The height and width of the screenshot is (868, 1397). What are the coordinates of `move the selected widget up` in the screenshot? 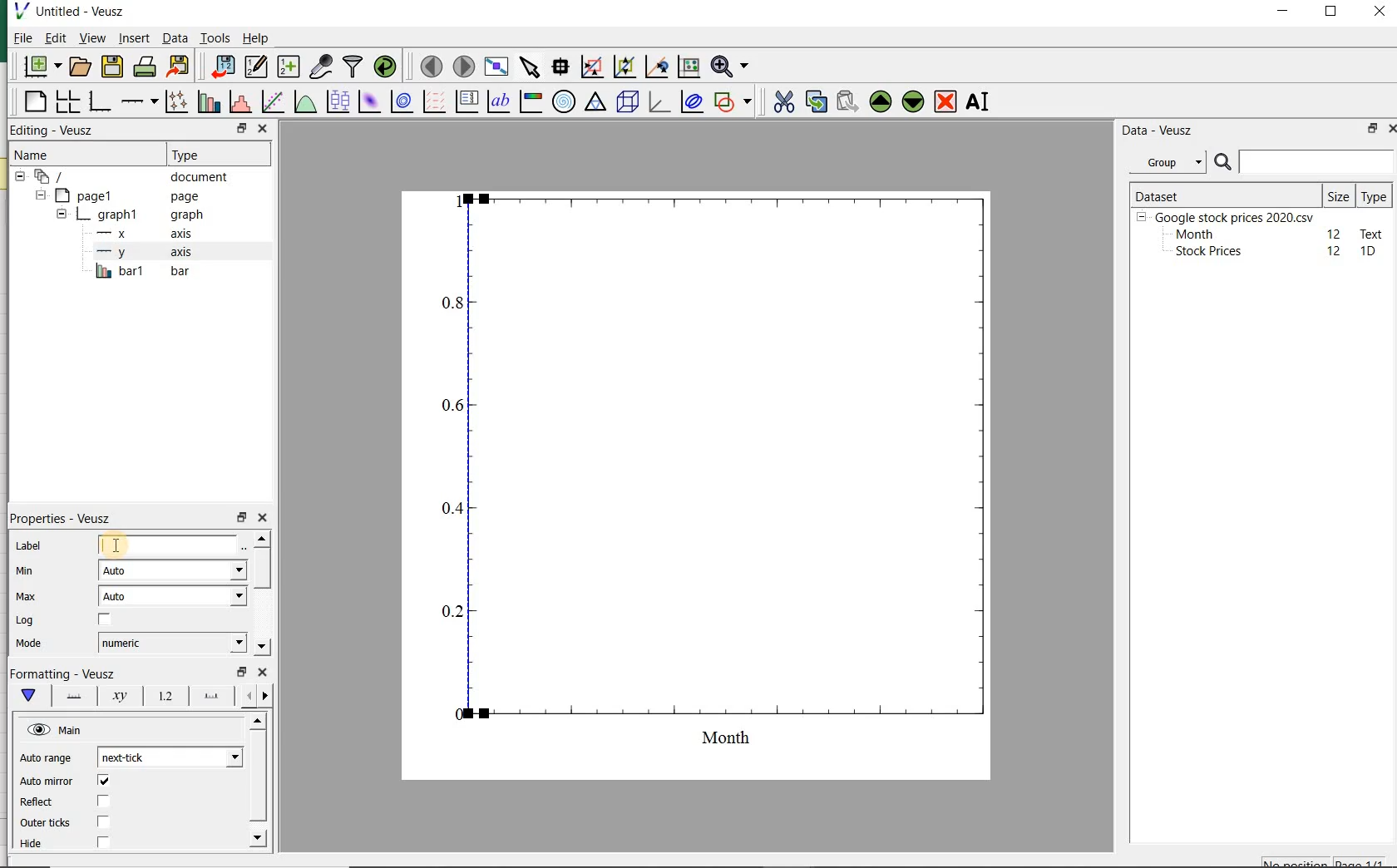 It's located at (881, 101).